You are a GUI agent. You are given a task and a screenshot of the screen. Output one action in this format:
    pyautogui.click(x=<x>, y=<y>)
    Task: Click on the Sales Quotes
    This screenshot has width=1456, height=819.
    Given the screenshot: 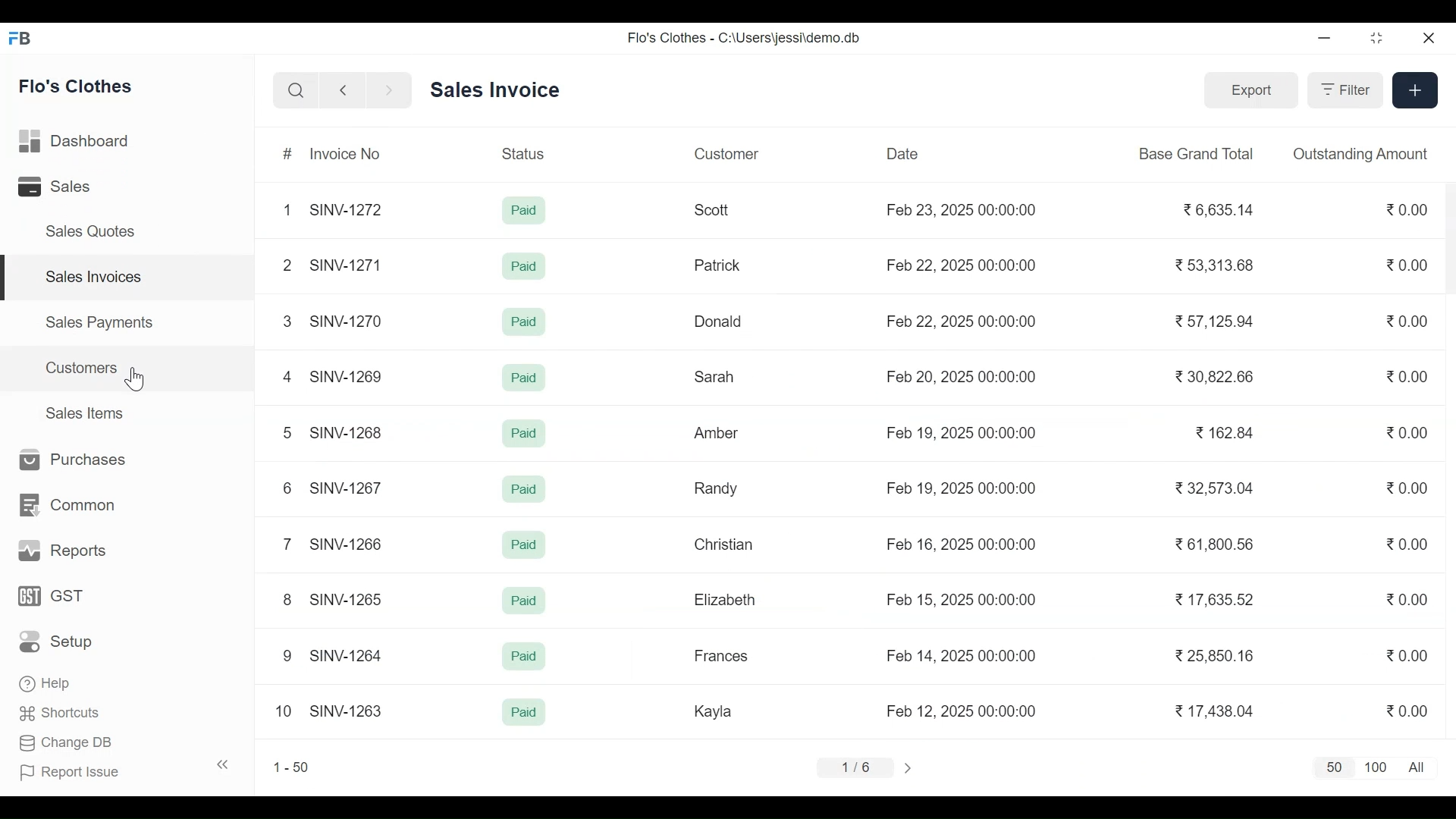 What is the action you would take?
    pyautogui.click(x=92, y=231)
    